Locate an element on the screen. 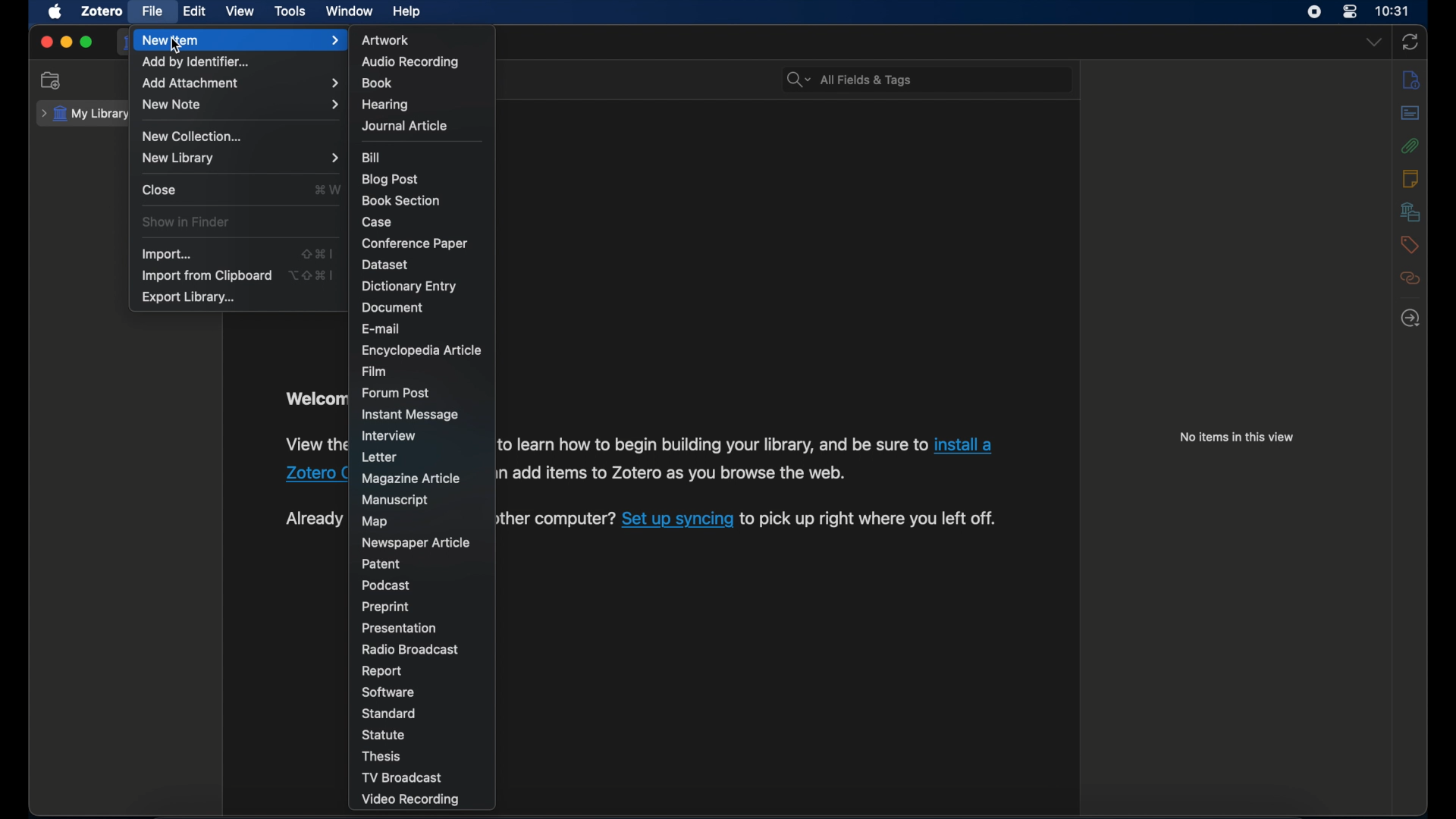  hearing is located at coordinates (384, 105).